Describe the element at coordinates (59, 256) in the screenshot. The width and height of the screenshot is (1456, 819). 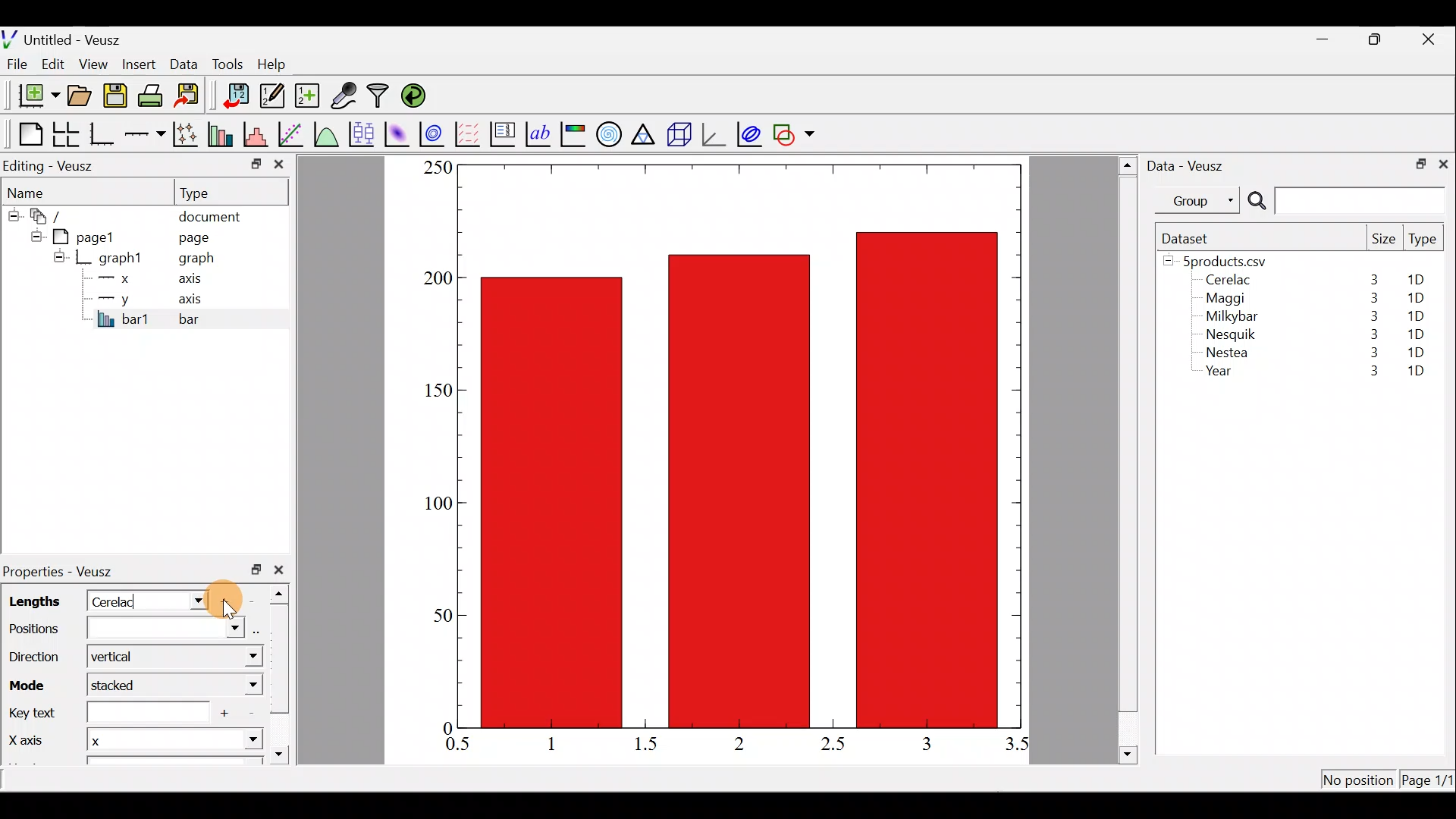
I see `hide` at that location.